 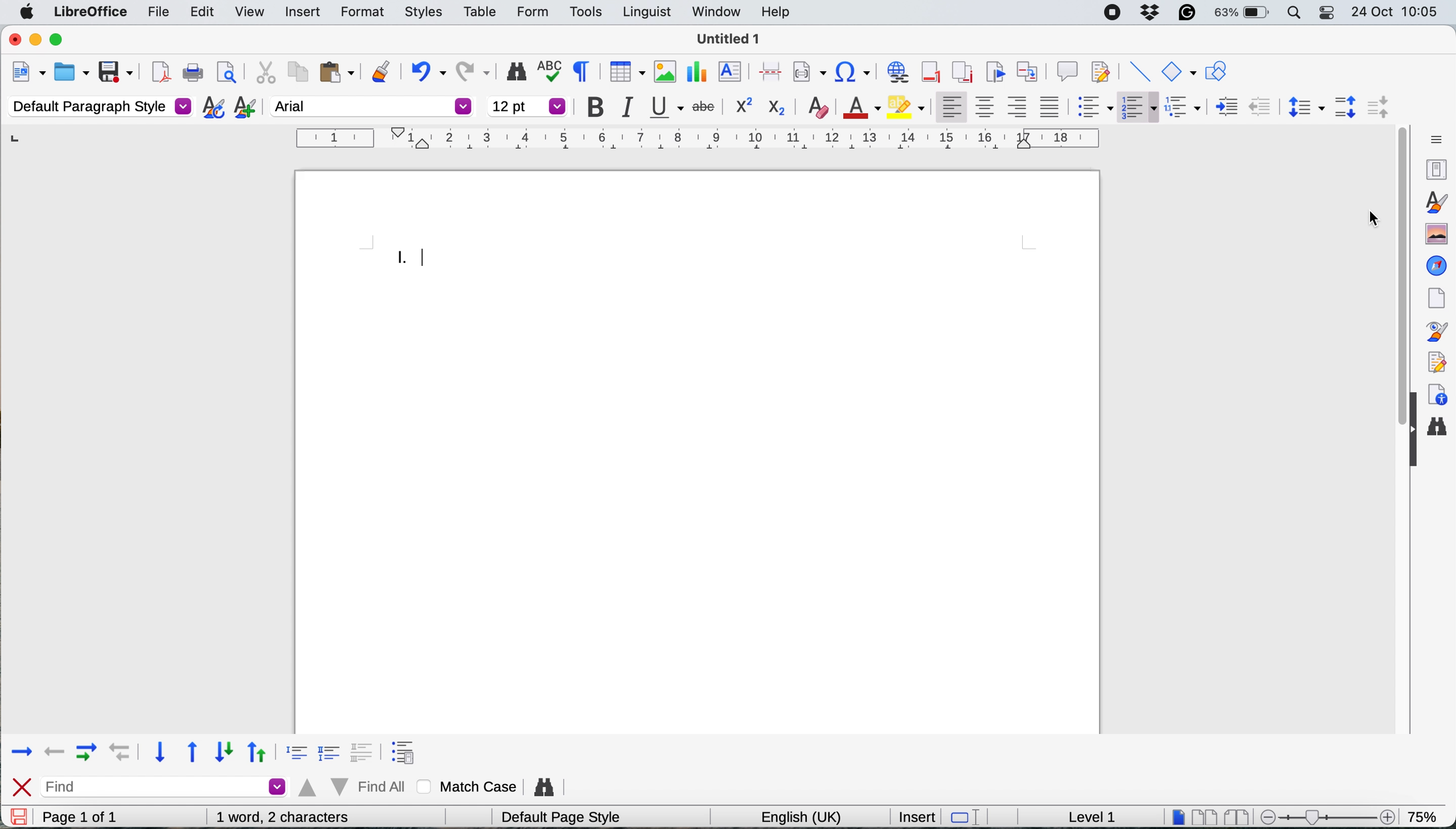 I want to click on page 1 of 1, so click(x=98, y=817).